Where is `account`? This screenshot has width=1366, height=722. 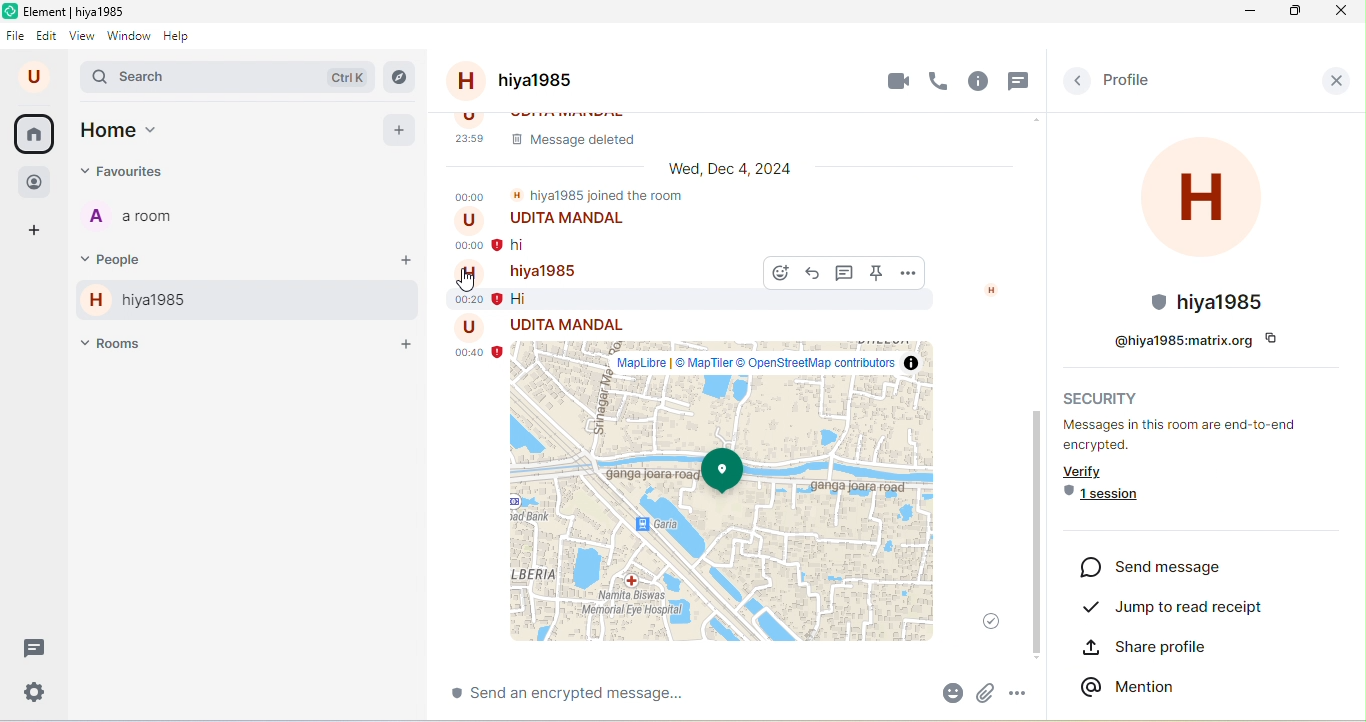
account is located at coordinates (34, 78).